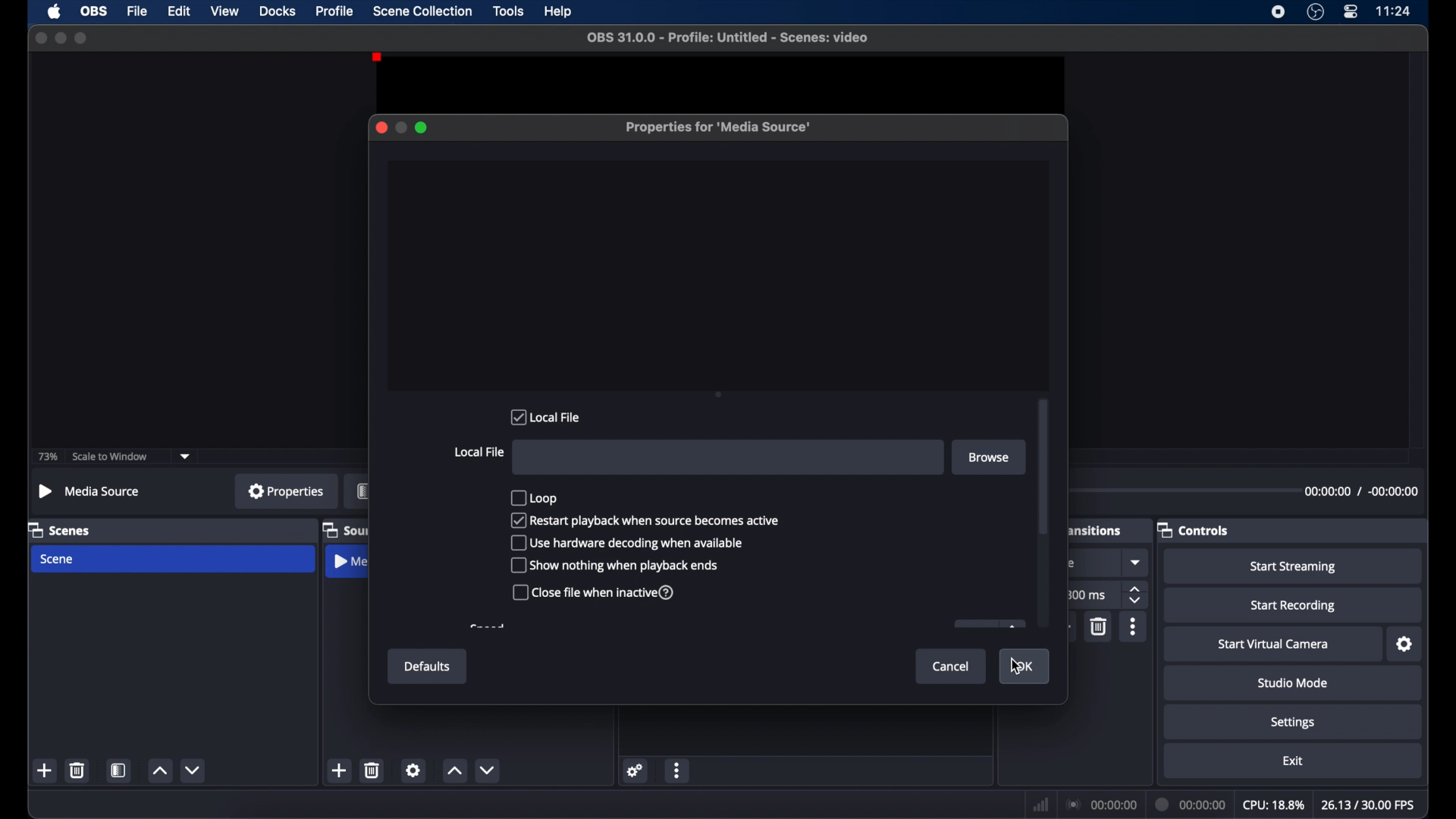  Describe the element at coordinates (363, 490) in the screenshot. I see `filters` at that location.